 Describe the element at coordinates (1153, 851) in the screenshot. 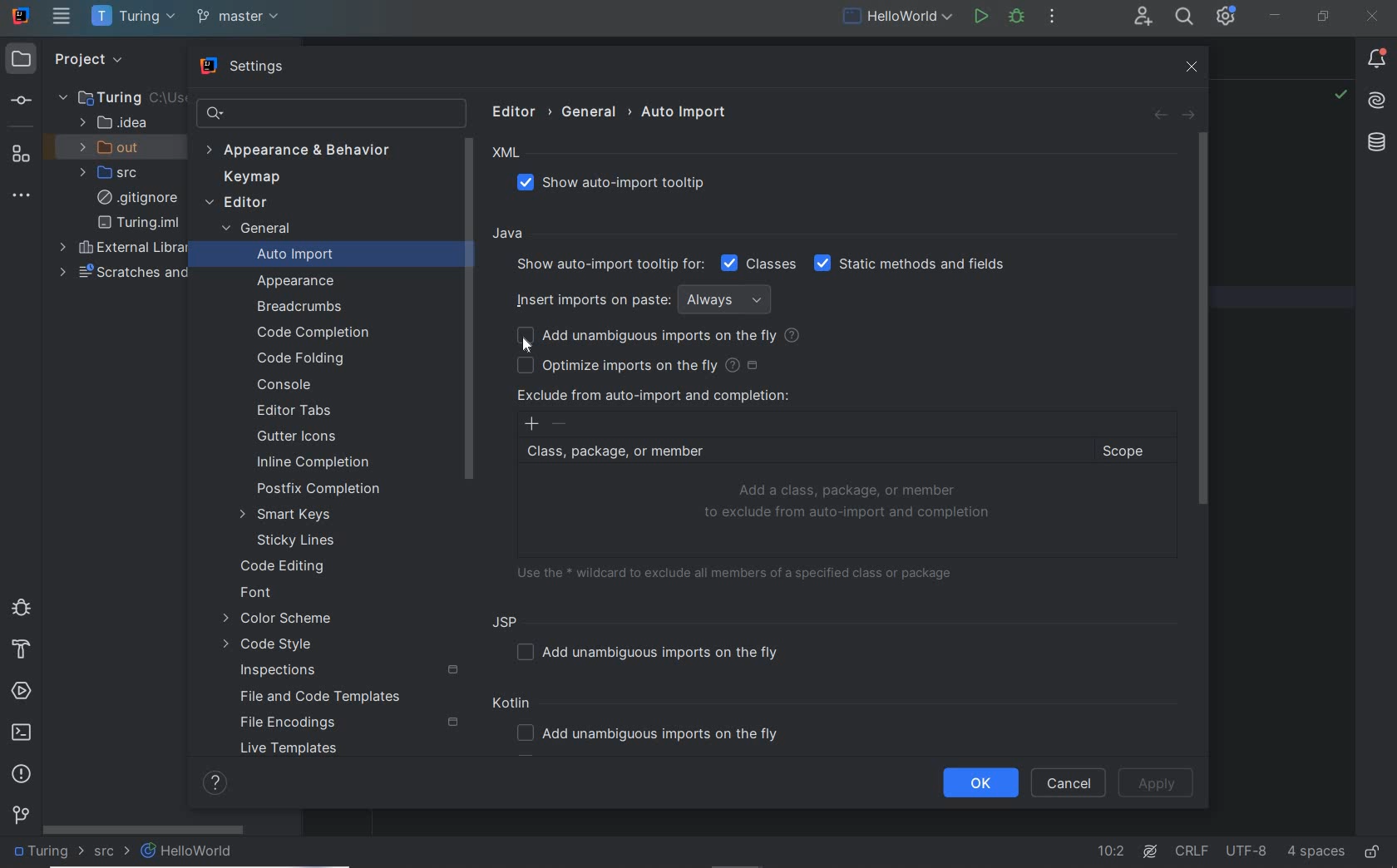

I see `AI Assistant` at that location.